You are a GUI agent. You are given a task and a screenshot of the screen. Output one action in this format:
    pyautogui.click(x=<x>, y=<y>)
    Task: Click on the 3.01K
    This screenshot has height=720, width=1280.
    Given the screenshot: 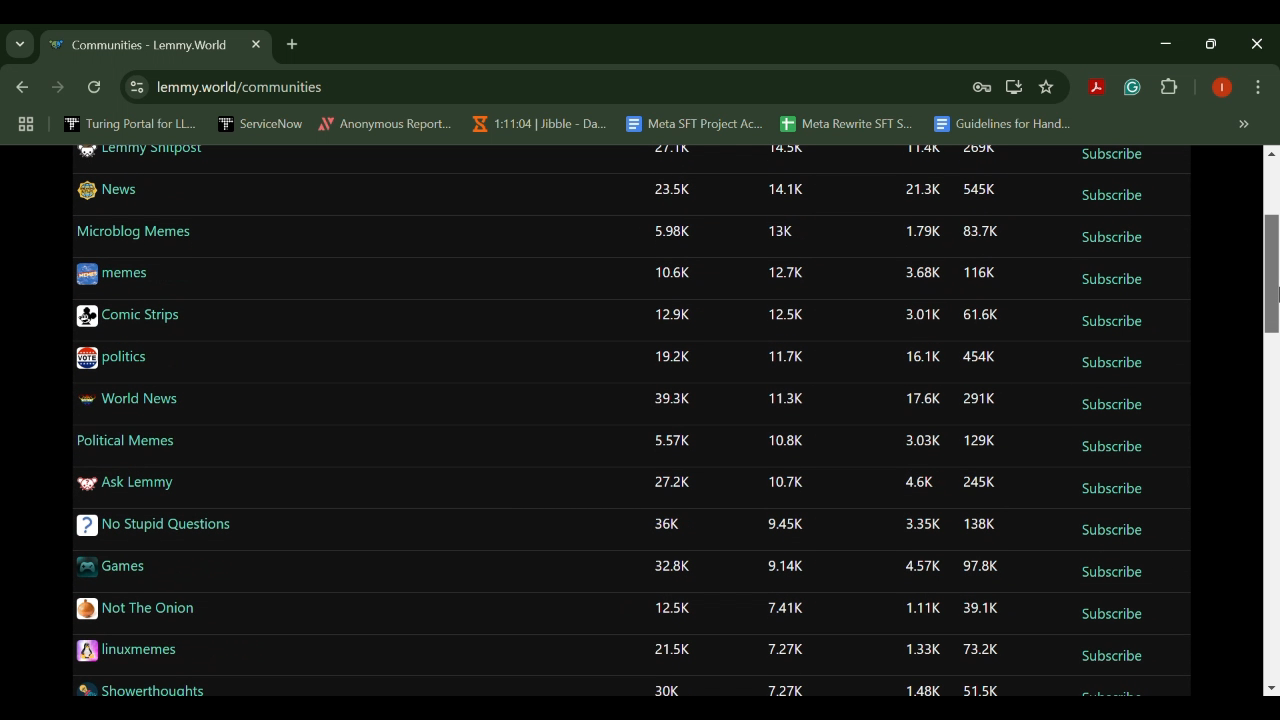 What is the action you would take?
    pyautogui.click(x=918, y=316)
    